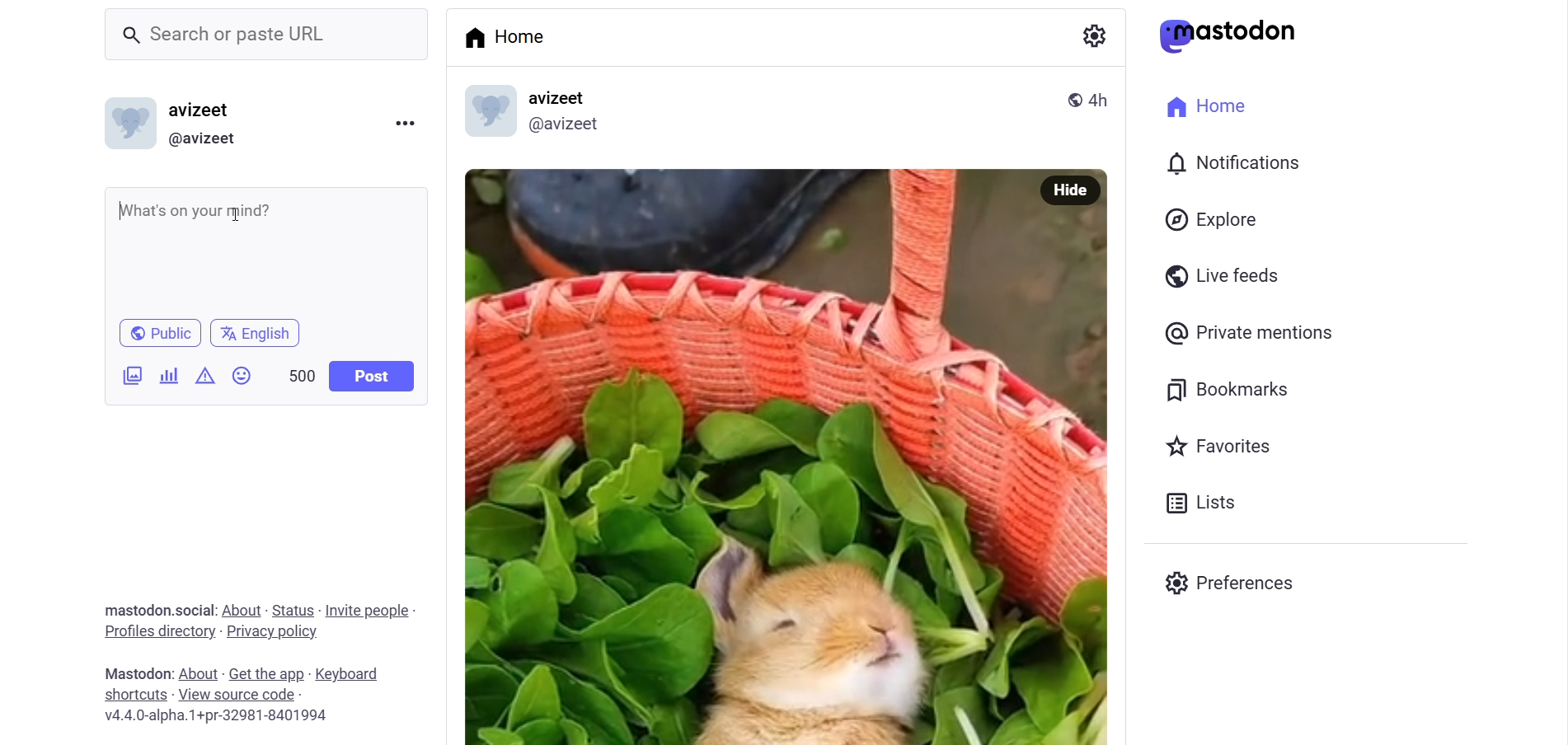 The height and width of the screenshot is (745, 1568). I want to click on Add Image, so click(132, 374).